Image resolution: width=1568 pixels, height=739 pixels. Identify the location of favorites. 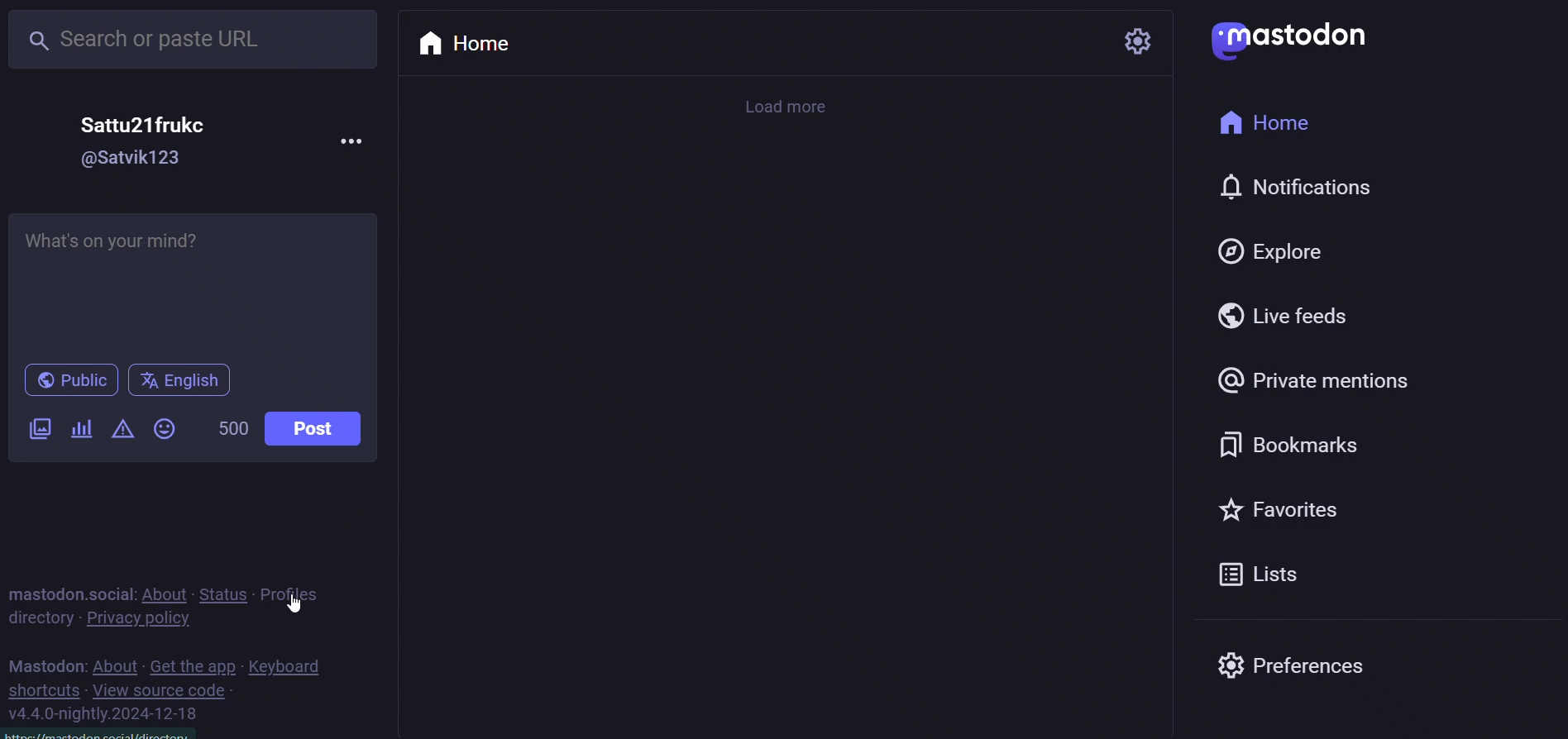
(1293, 508).